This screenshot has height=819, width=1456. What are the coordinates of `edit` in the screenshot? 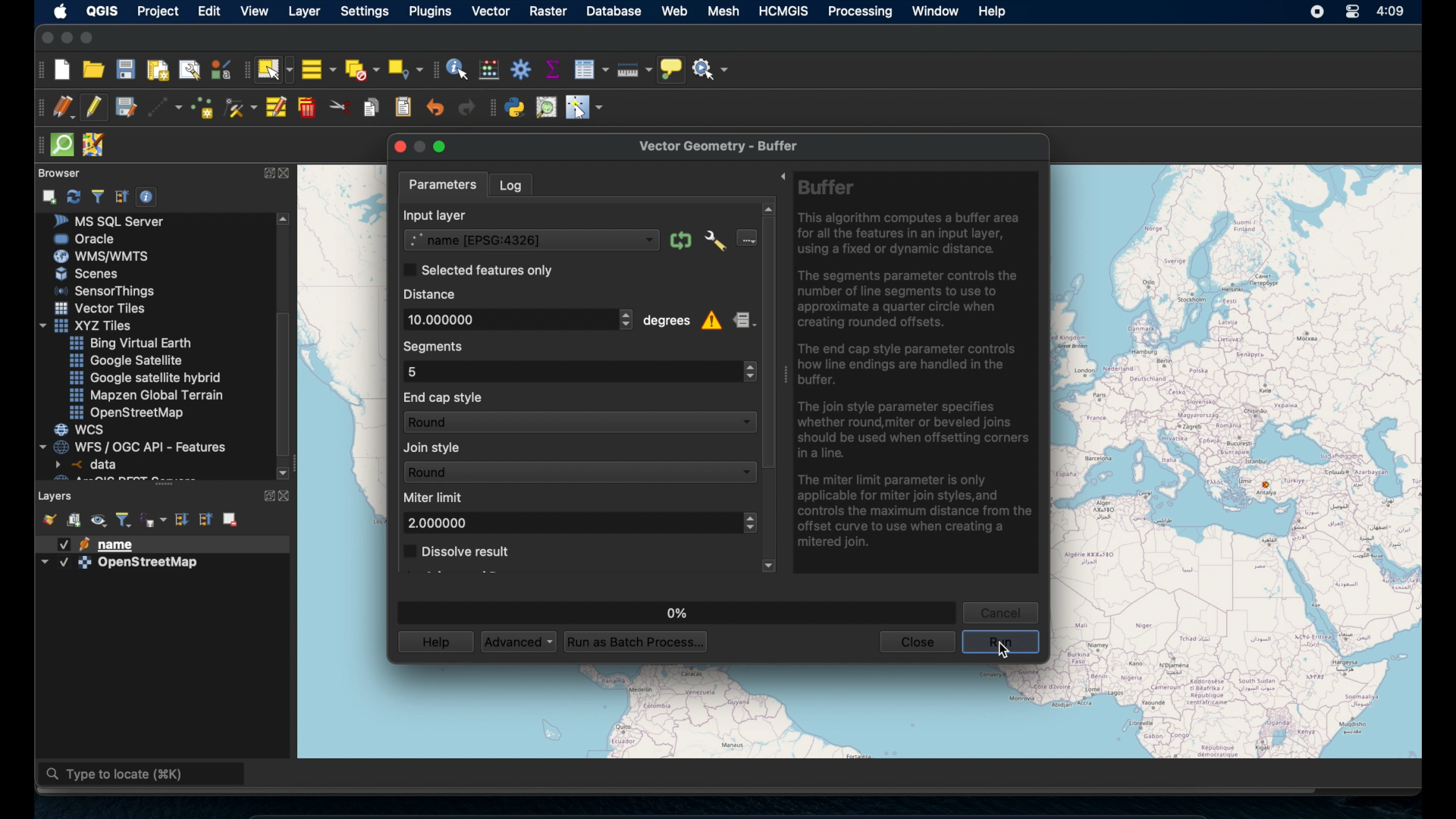 It's located at (212, 11).